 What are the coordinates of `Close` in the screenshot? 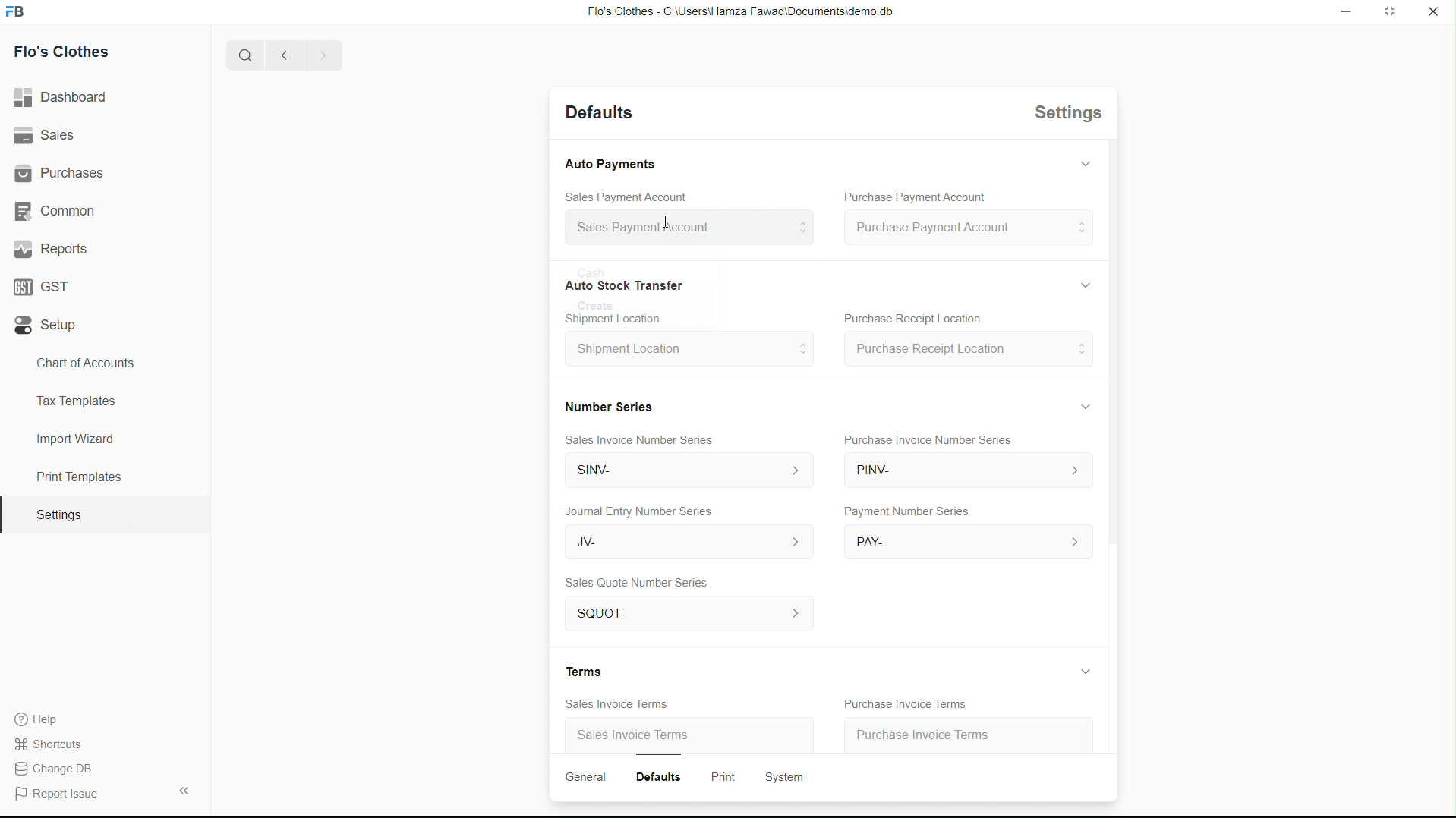 It's located at (1433, 13).